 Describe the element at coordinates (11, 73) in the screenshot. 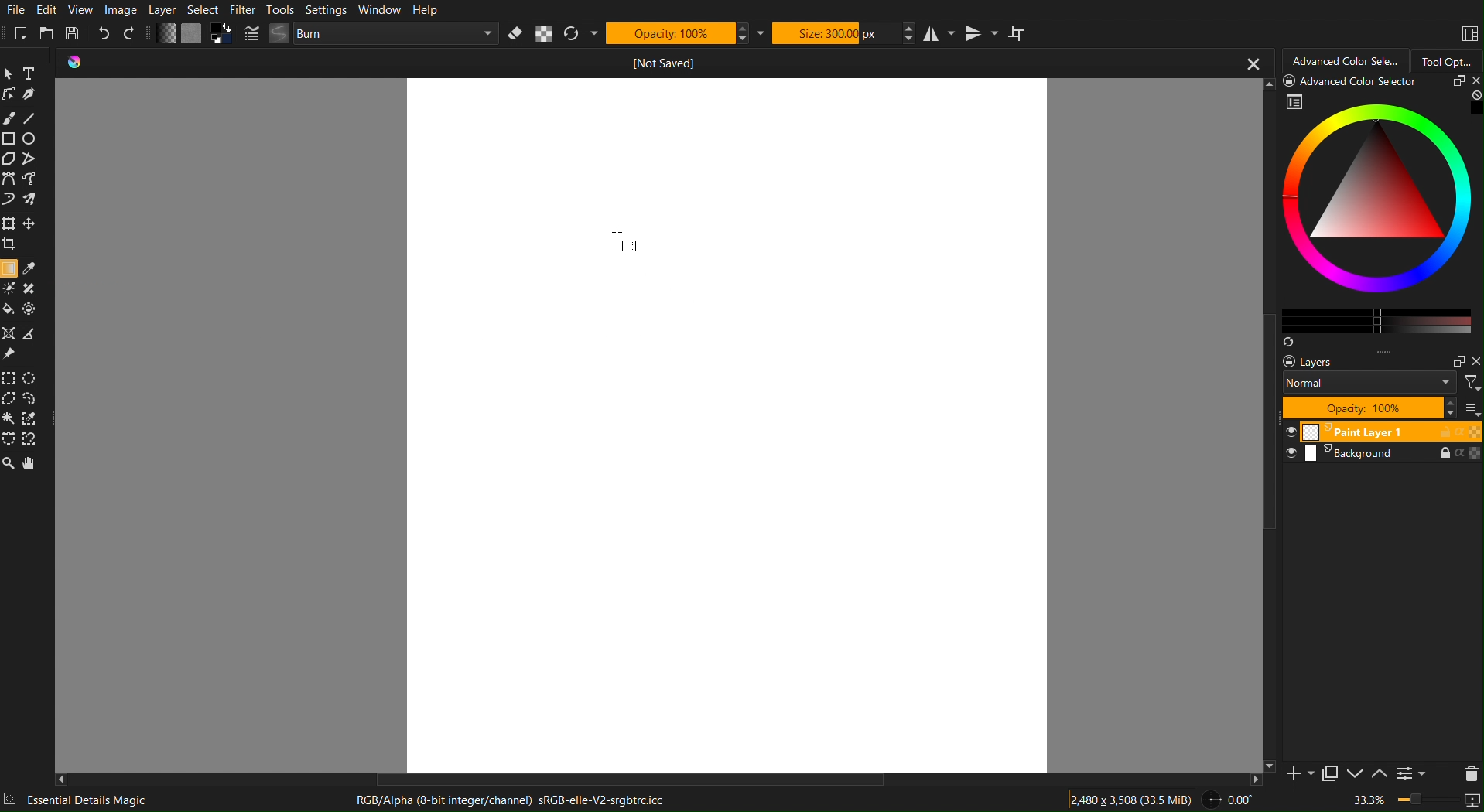

I see `Pointer` at that location.